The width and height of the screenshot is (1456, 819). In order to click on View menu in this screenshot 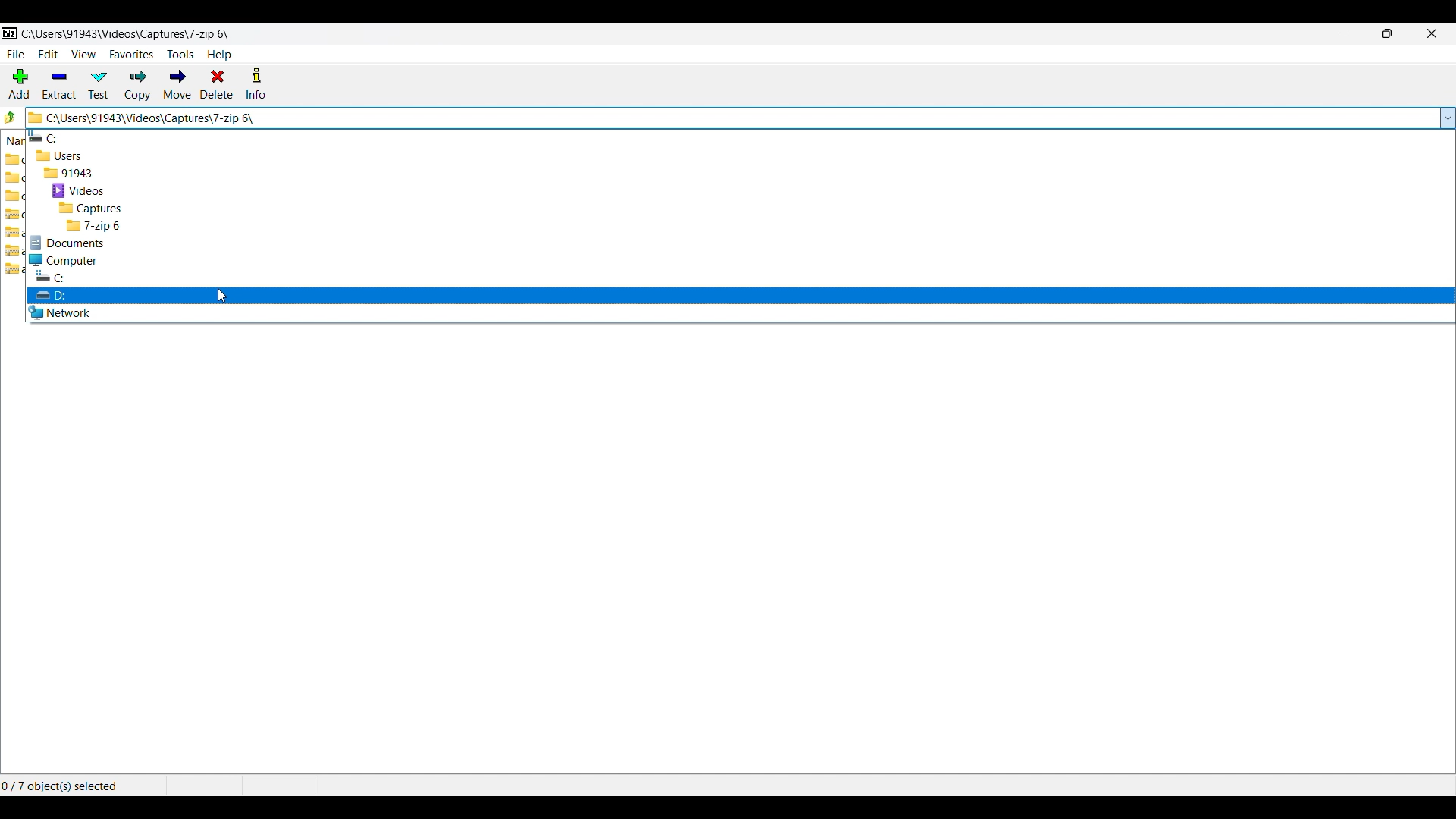, I will do `click(84, 55)`.